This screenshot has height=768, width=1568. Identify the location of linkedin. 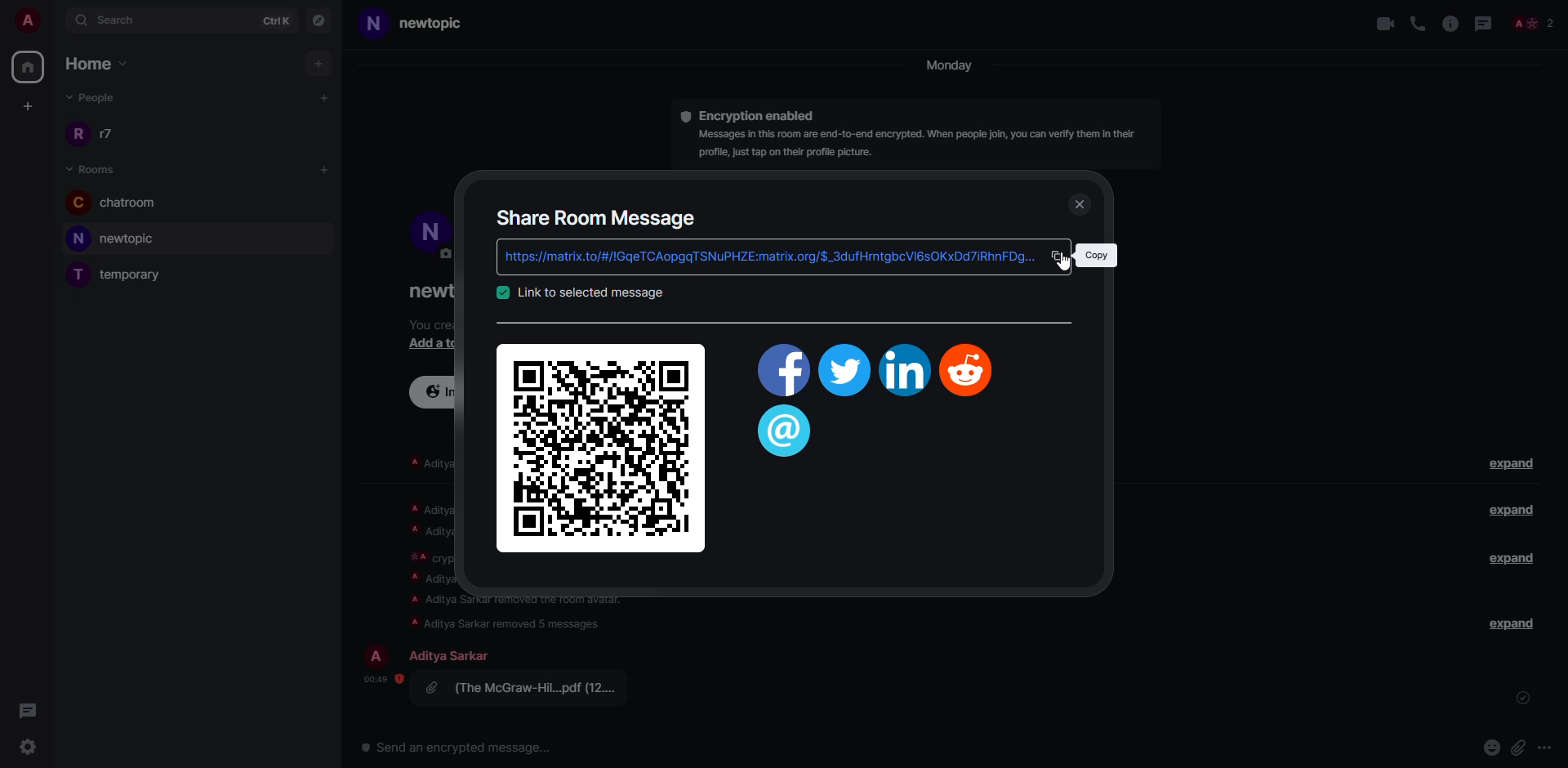
(902, 371).